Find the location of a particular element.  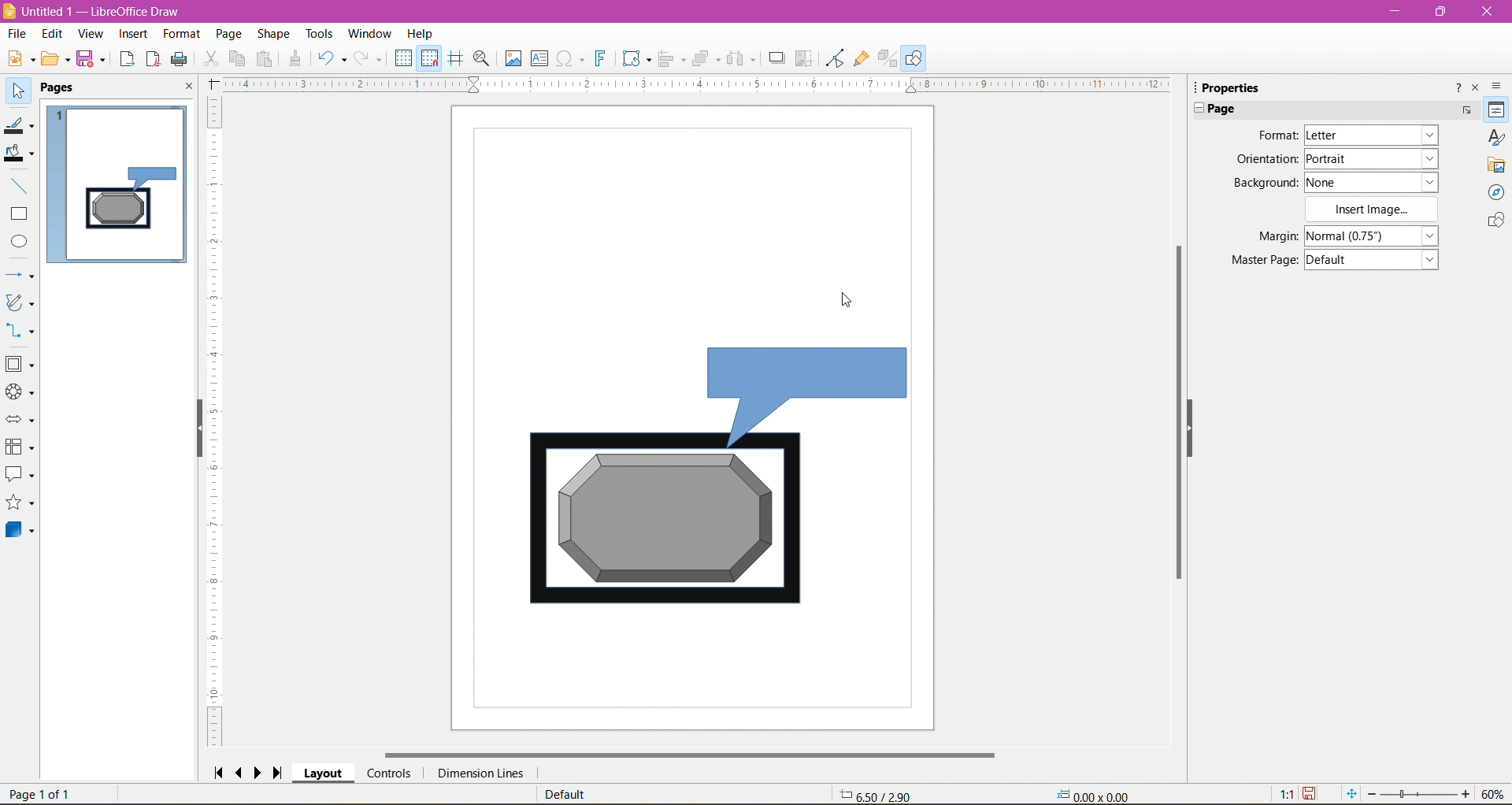

Vertical Scroll bar is located at coordinates (1178, 418).